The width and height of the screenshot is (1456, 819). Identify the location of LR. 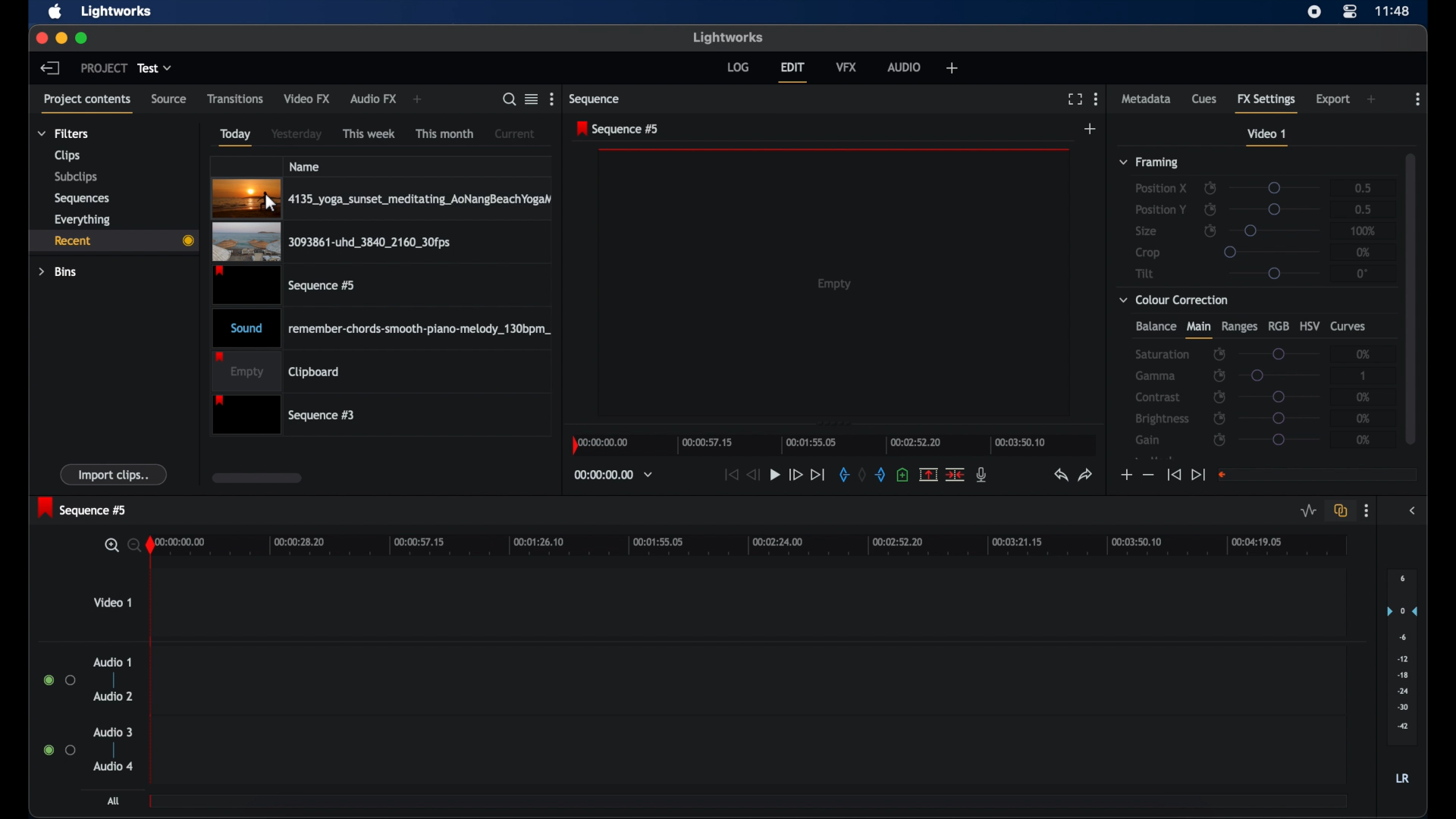
(1402, 779).